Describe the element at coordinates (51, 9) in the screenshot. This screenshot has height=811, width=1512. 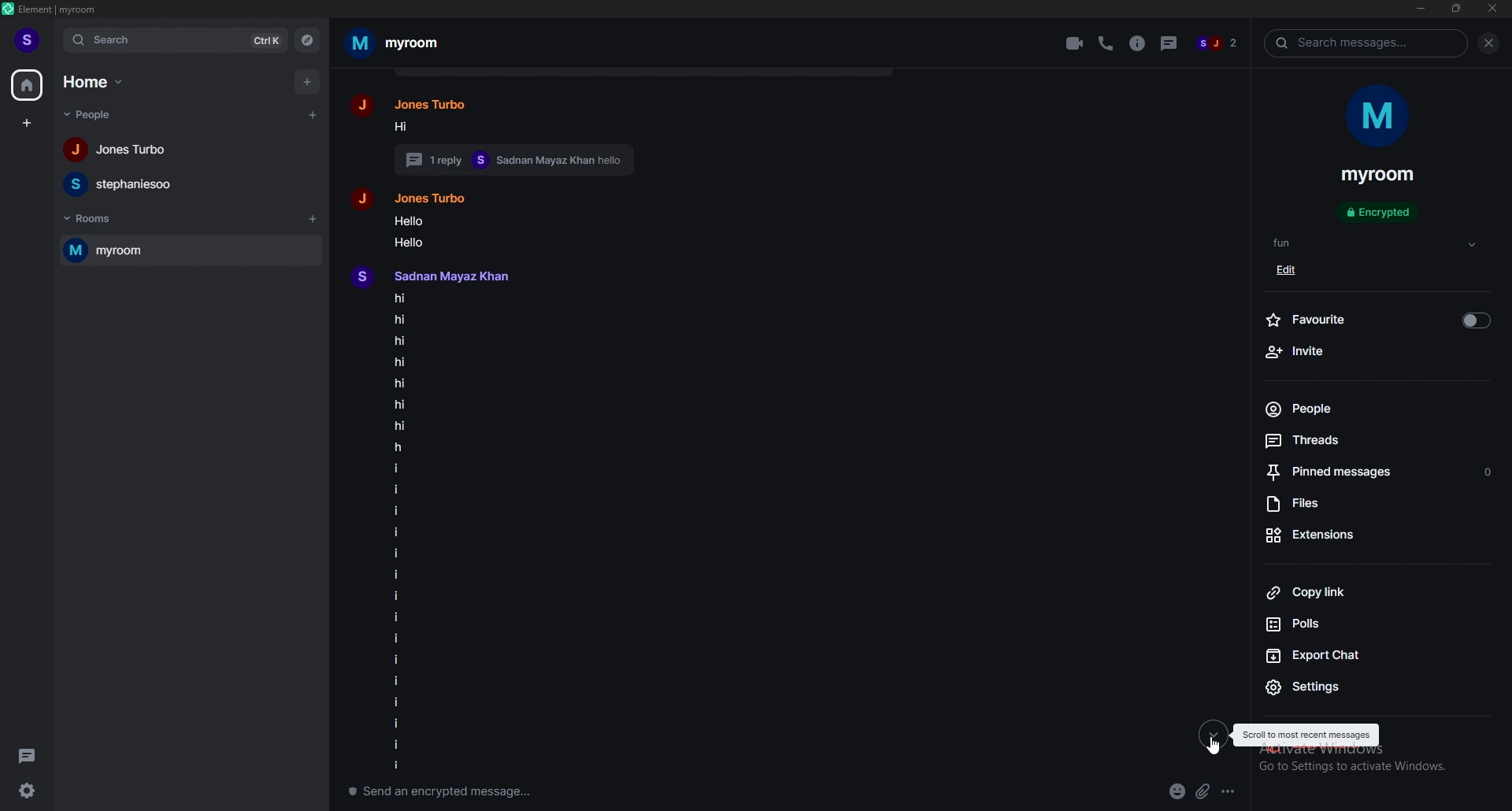
I see `element | myroom` at that location.